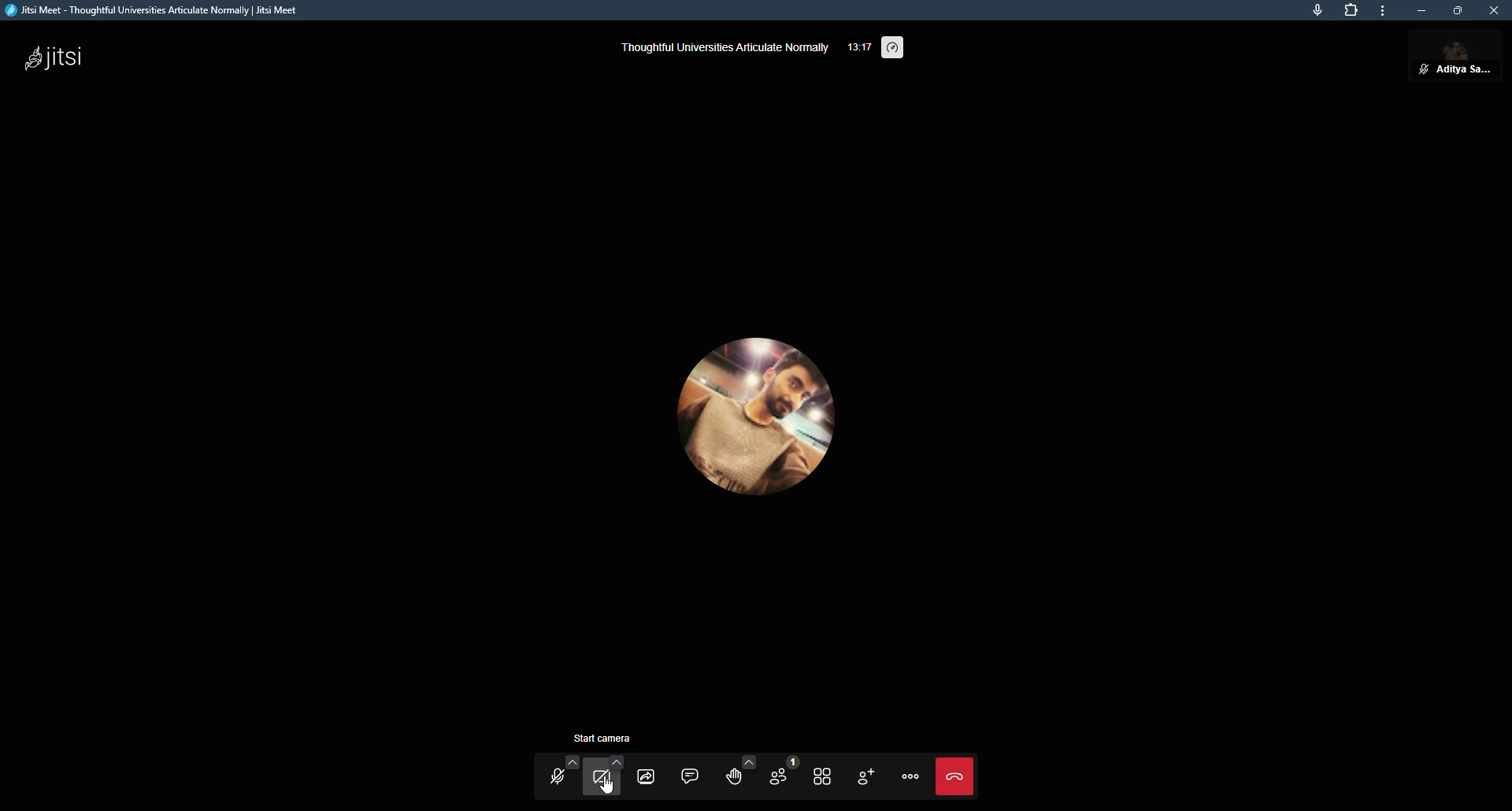 The image size is (1512, 811). I want to click on end call, so click(960, 777).